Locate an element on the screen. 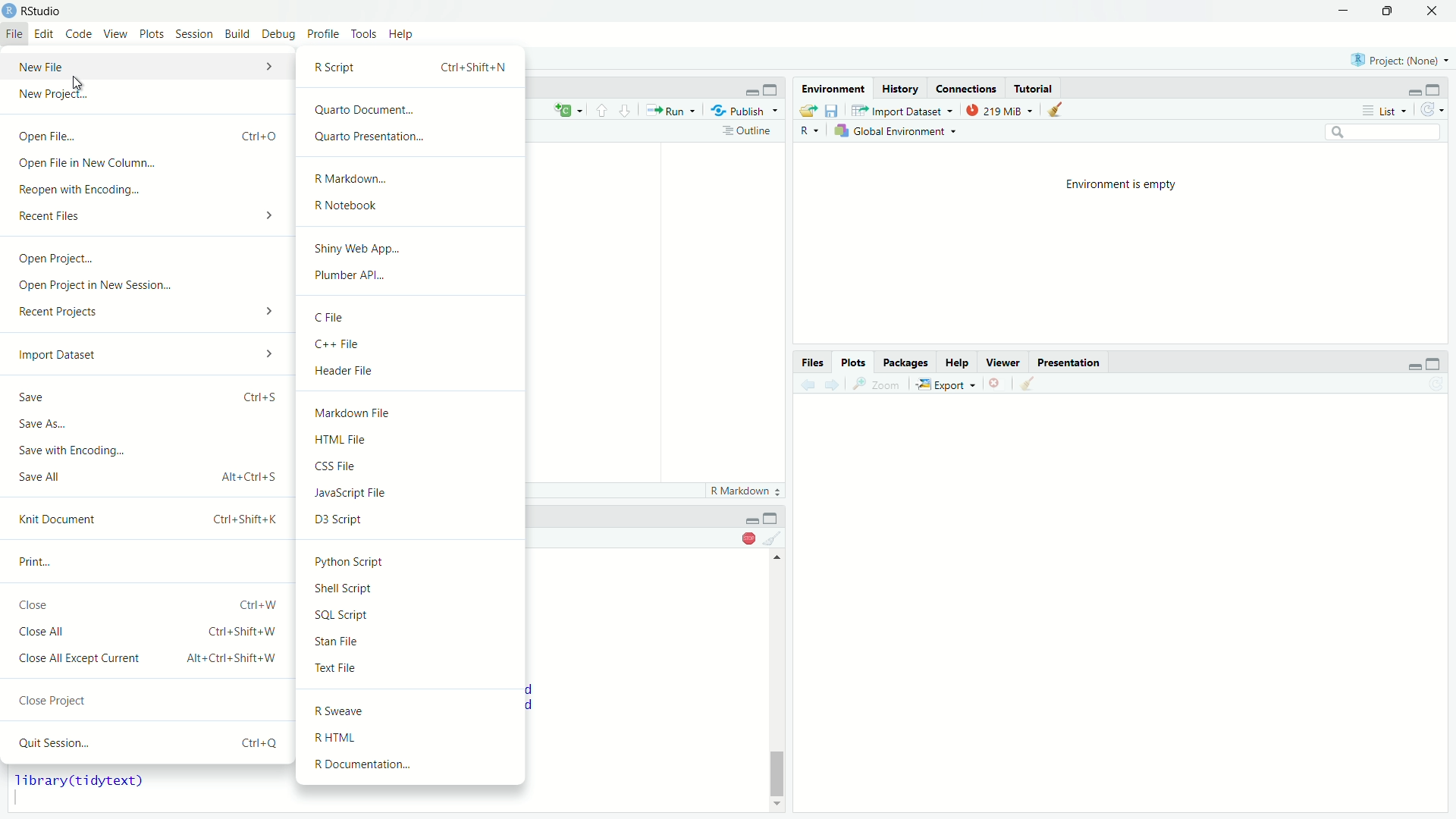 This screenshot has width=1456, height=819. presentation is located at coordinates (1070, 362).